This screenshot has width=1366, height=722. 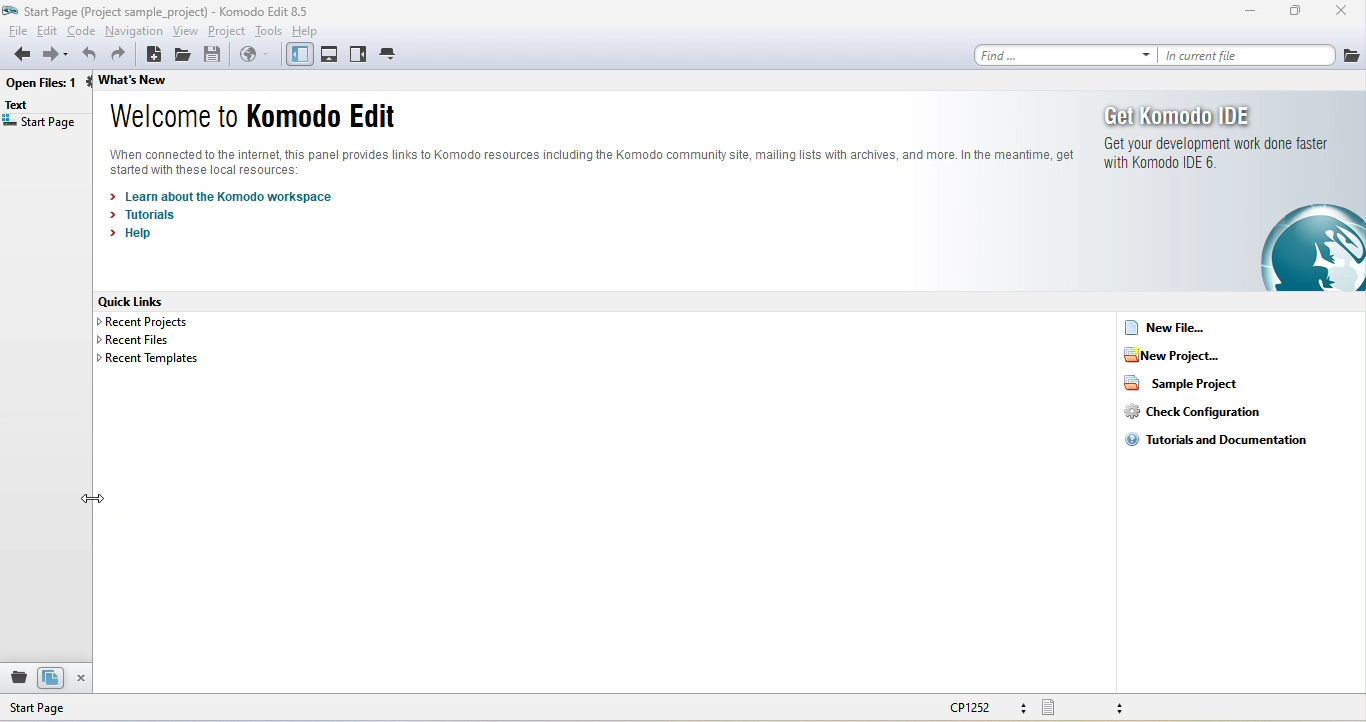 I want to click on files, so click(x=52, y=678).